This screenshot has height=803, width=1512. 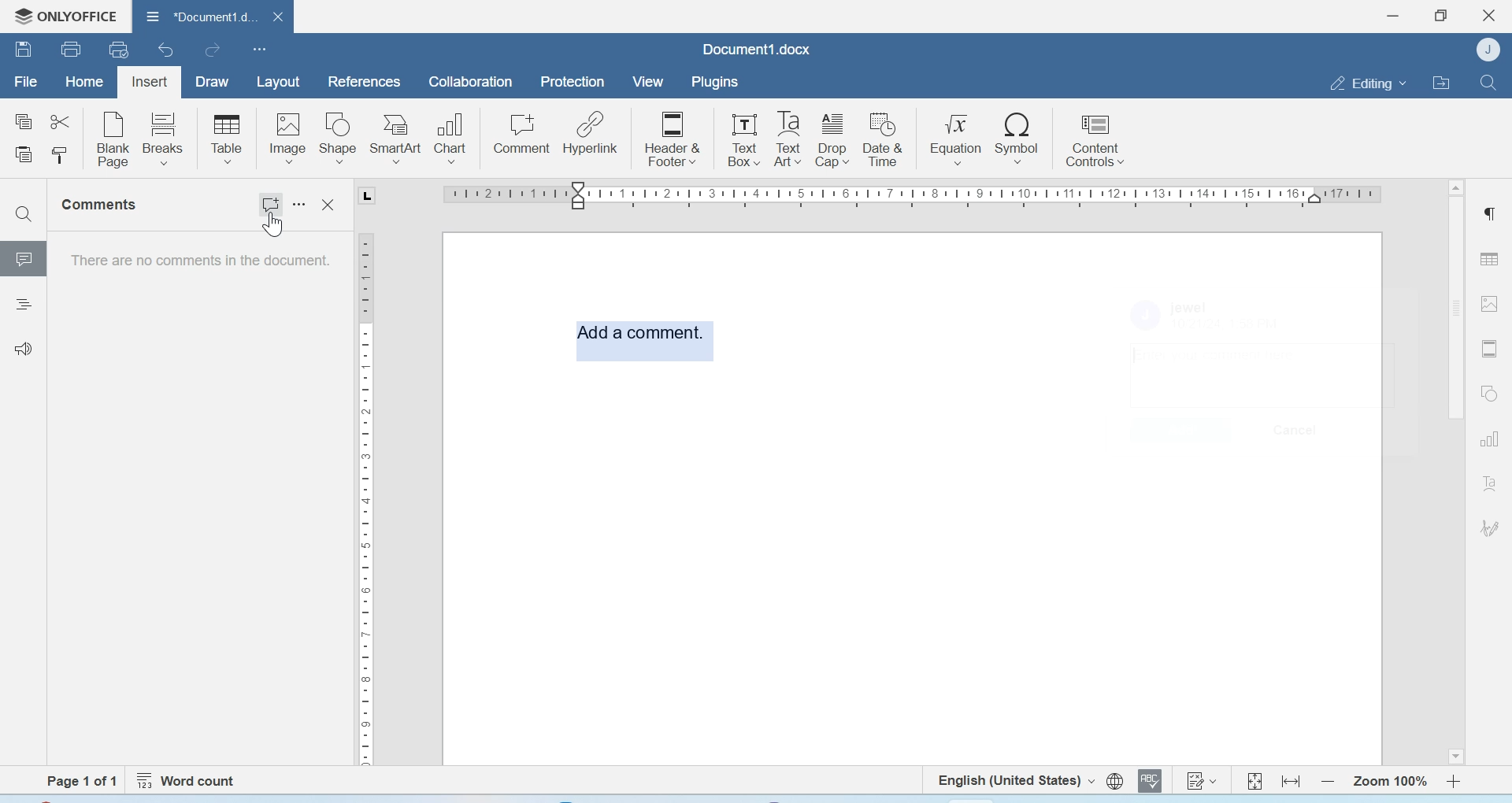 I want to click on Image, so click(x=287, y=138).